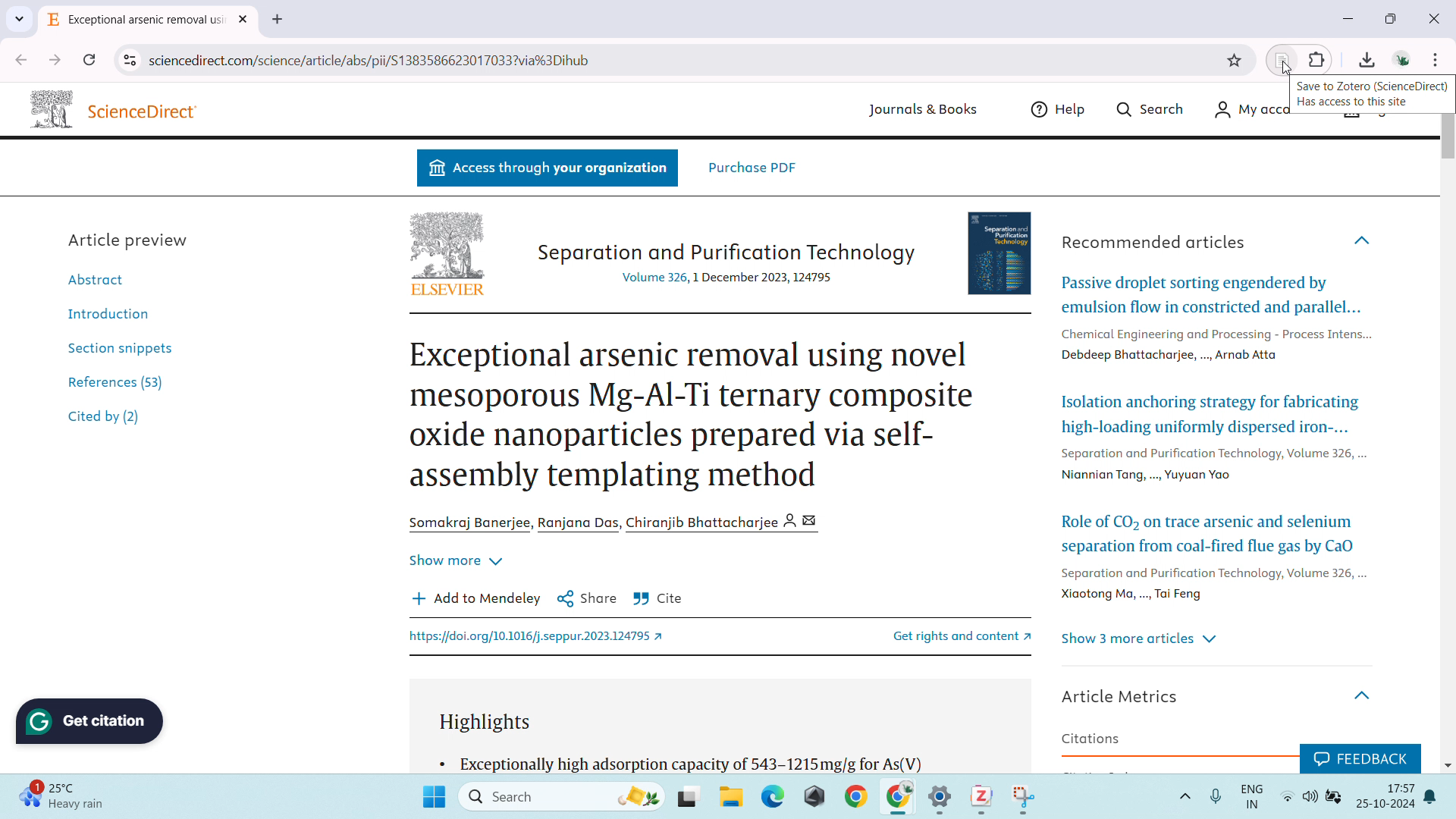  I want to click on Exceptional arsenic removal using novel mesoporous Mg-Al-Ti ternary composite oxide nanoparticles prepared via self-assembly templating method, so click(693, 416).